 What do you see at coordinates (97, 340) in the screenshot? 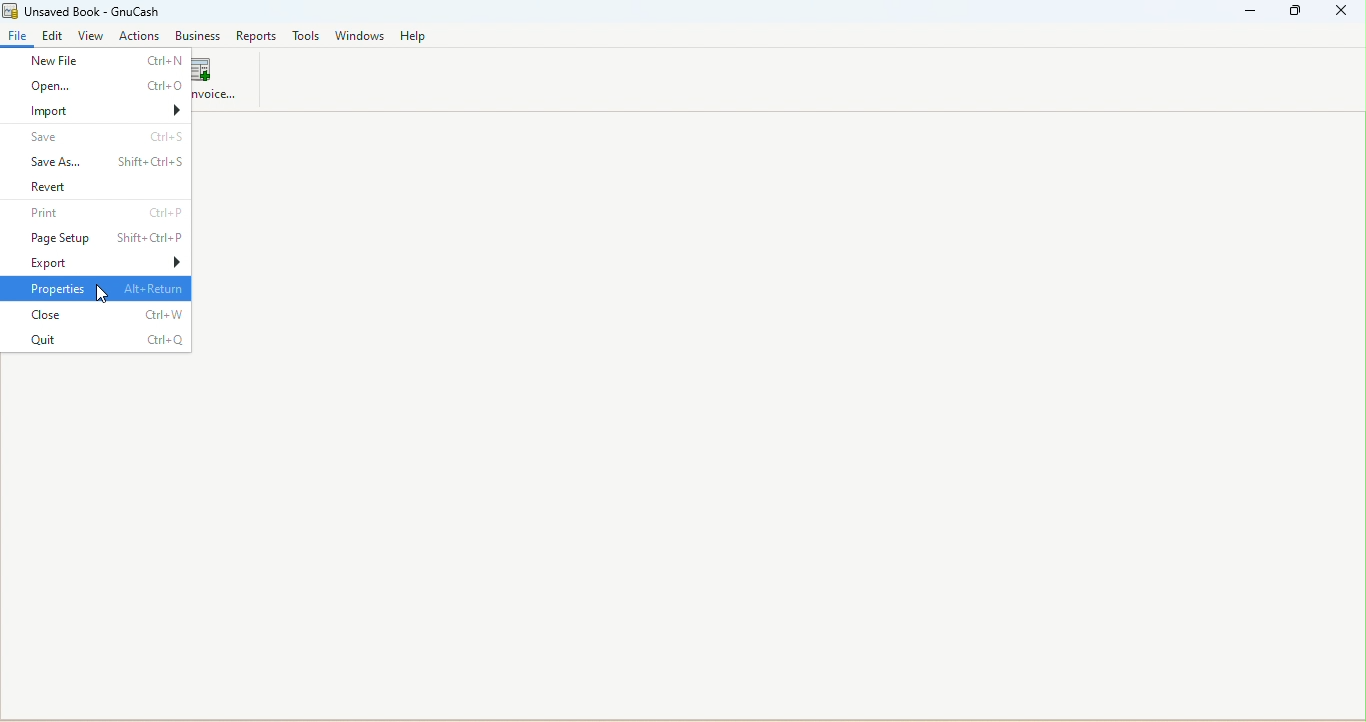
I see `Quit` at bounding box center [97, 340].